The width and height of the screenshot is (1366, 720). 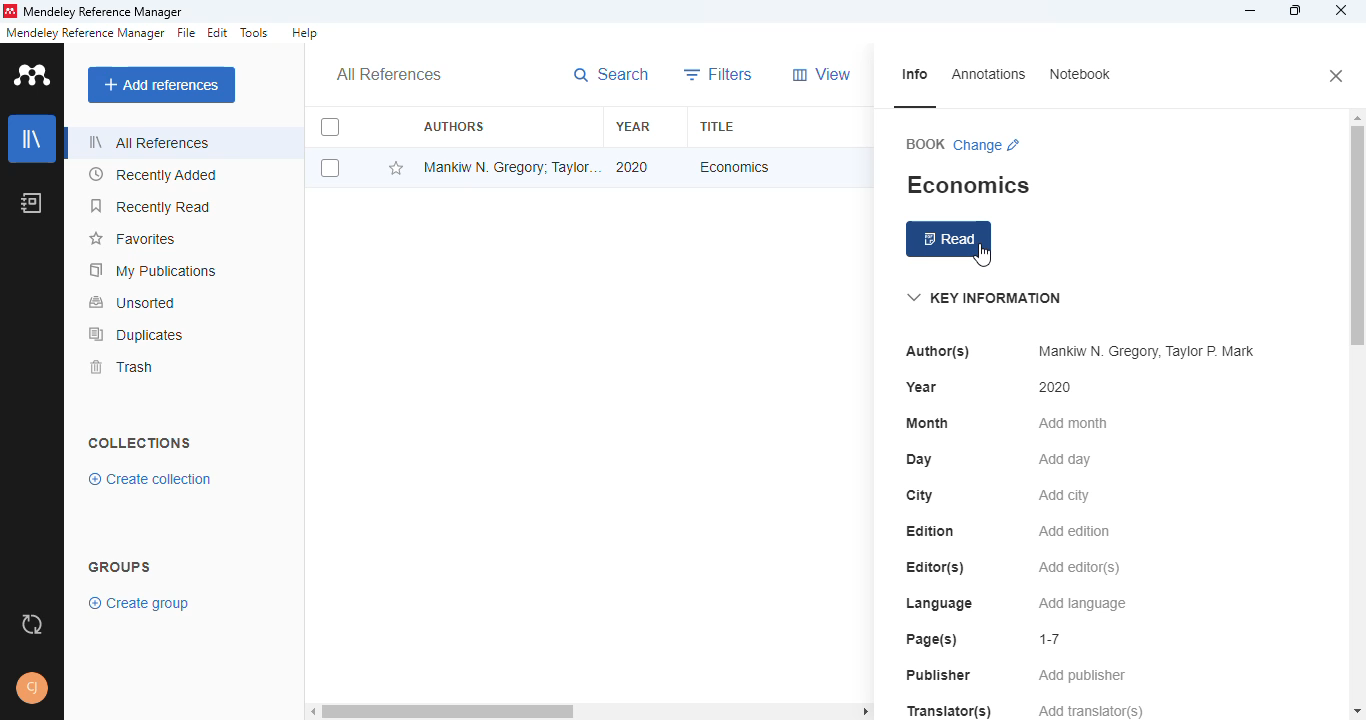 I want to click on year, so click(x=633, y=125).